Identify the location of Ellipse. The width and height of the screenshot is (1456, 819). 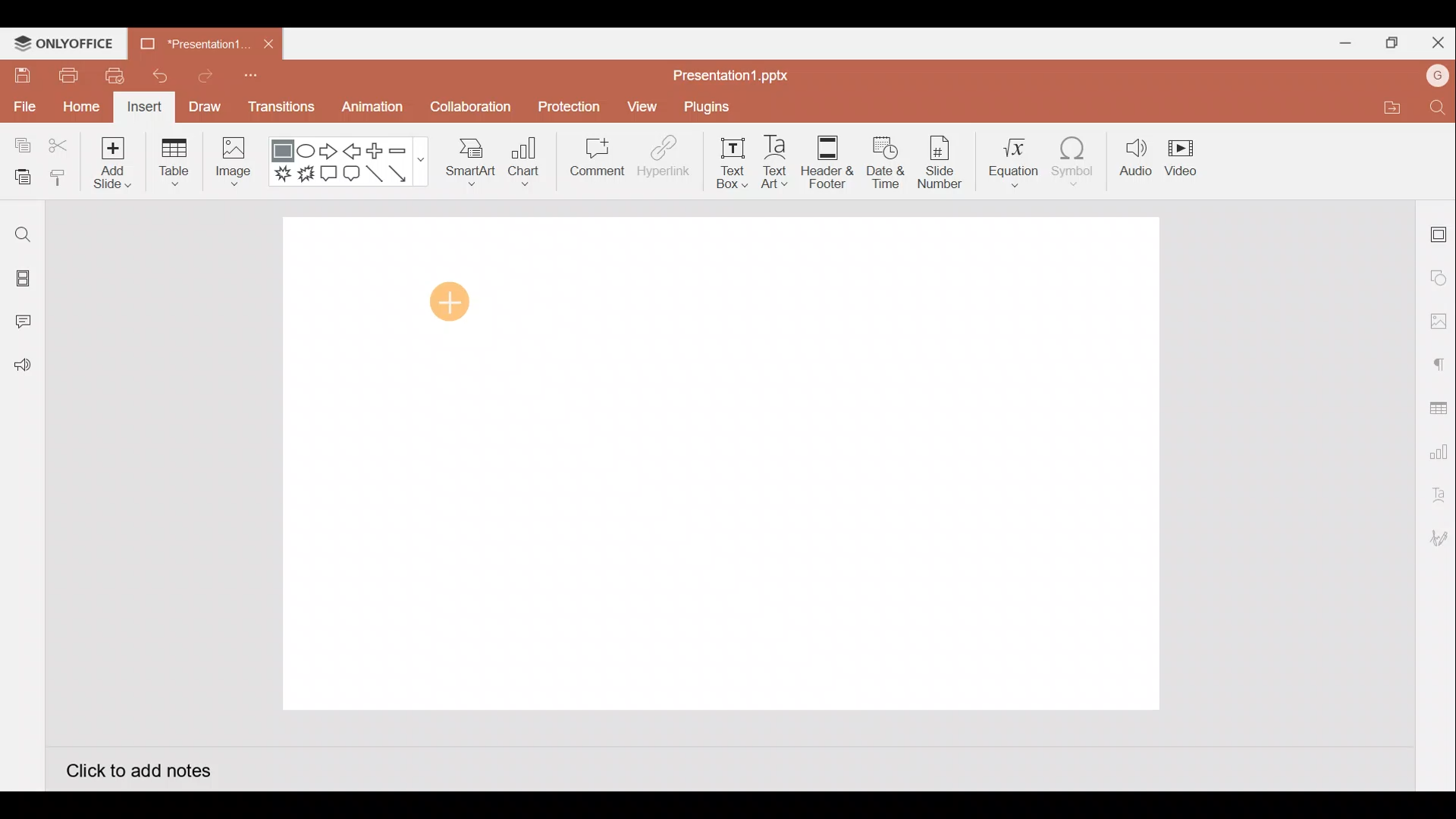
(308, 149).